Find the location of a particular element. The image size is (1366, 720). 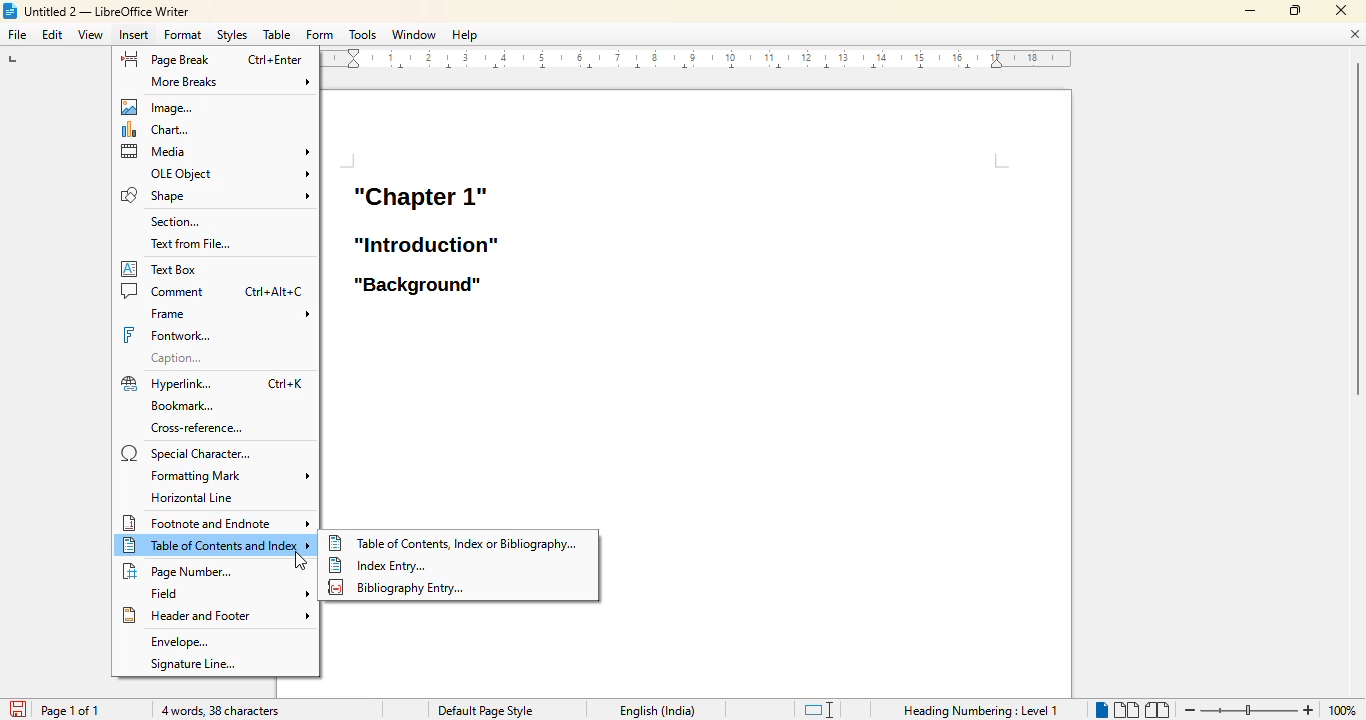

click to save document is located at coordinates (17, 709).